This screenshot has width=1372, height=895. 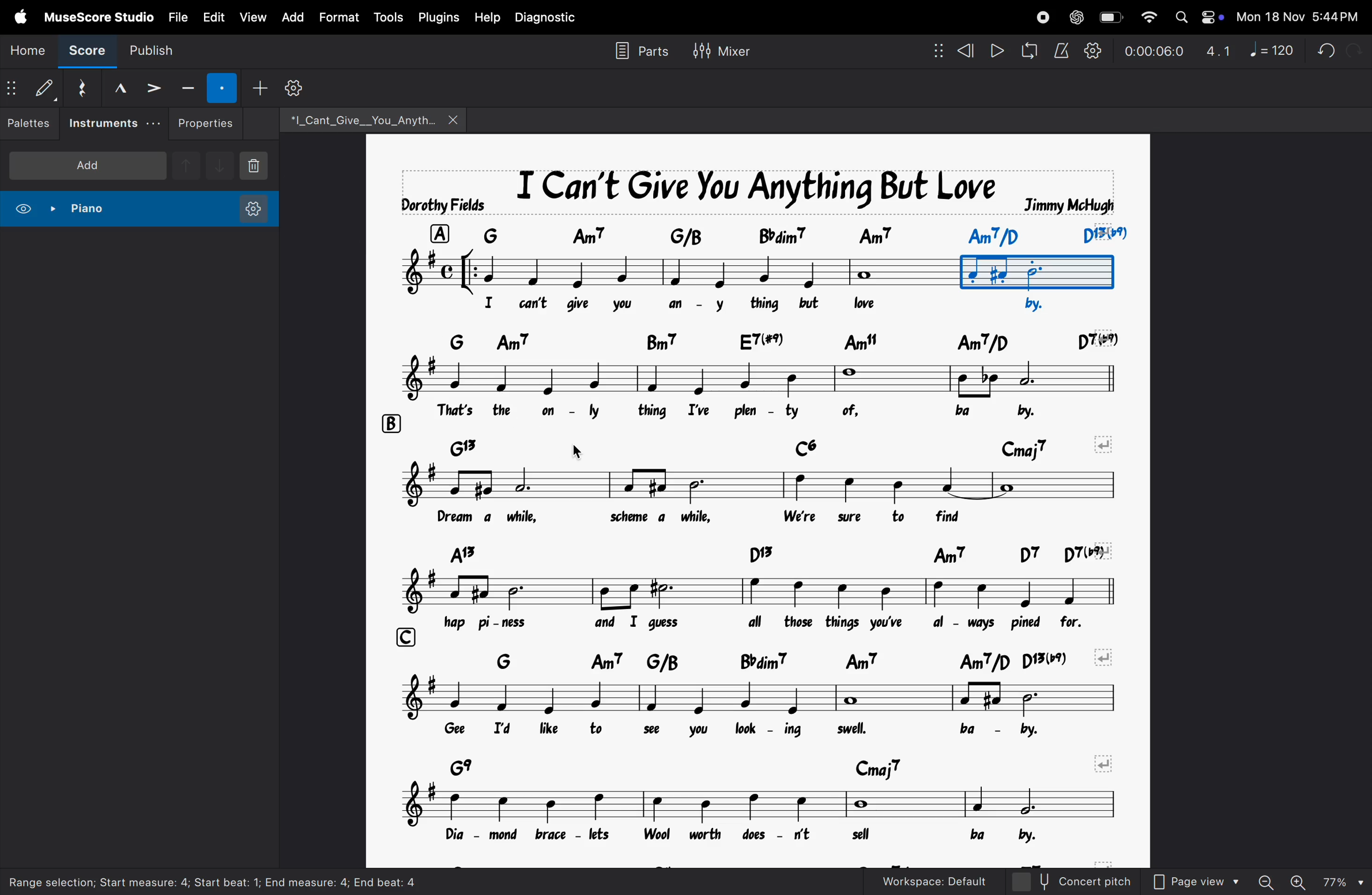 I want to click on parts, so click(x=641, y=51).